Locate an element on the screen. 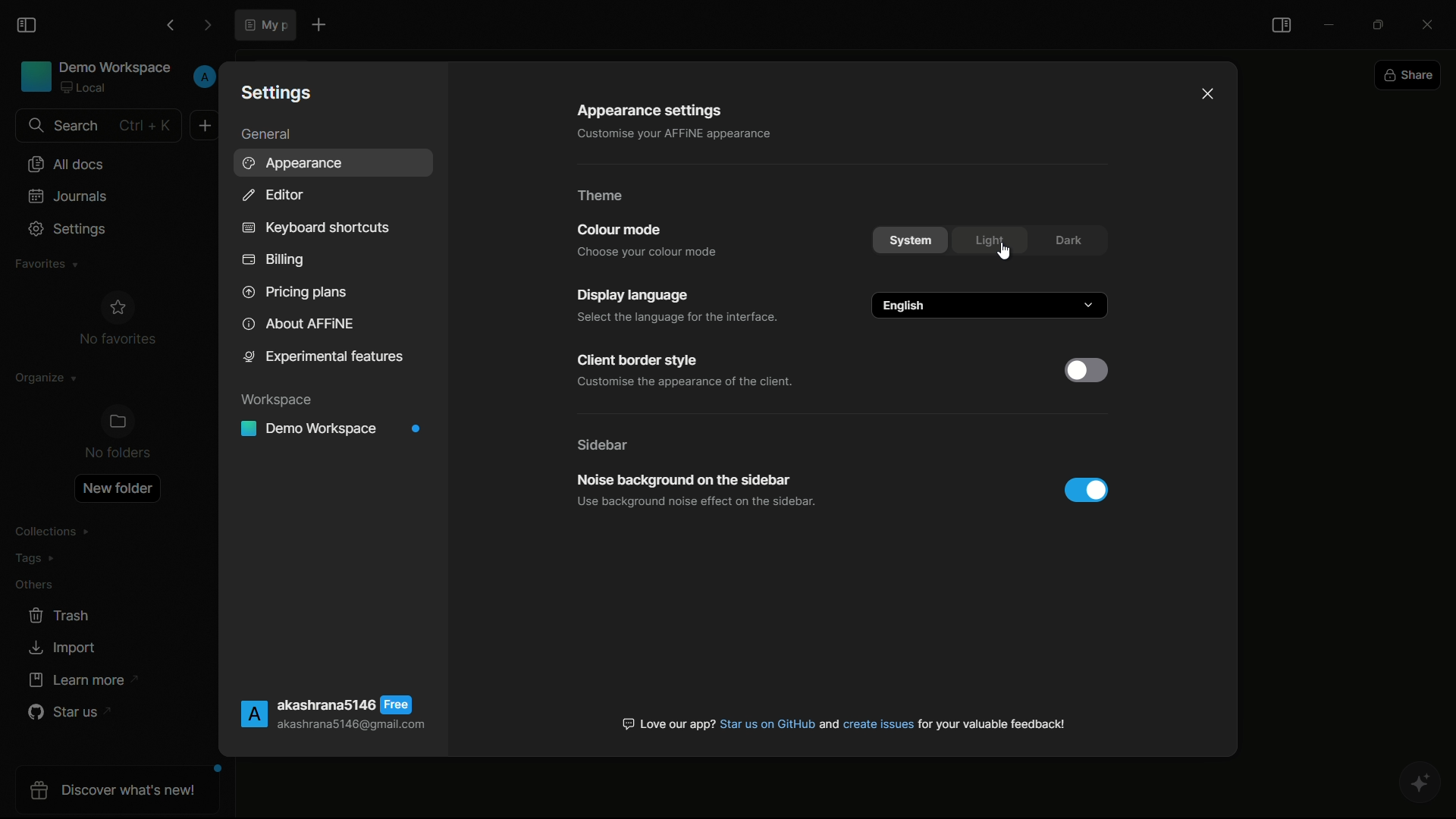  document tab is located at coordinates (265, 24).